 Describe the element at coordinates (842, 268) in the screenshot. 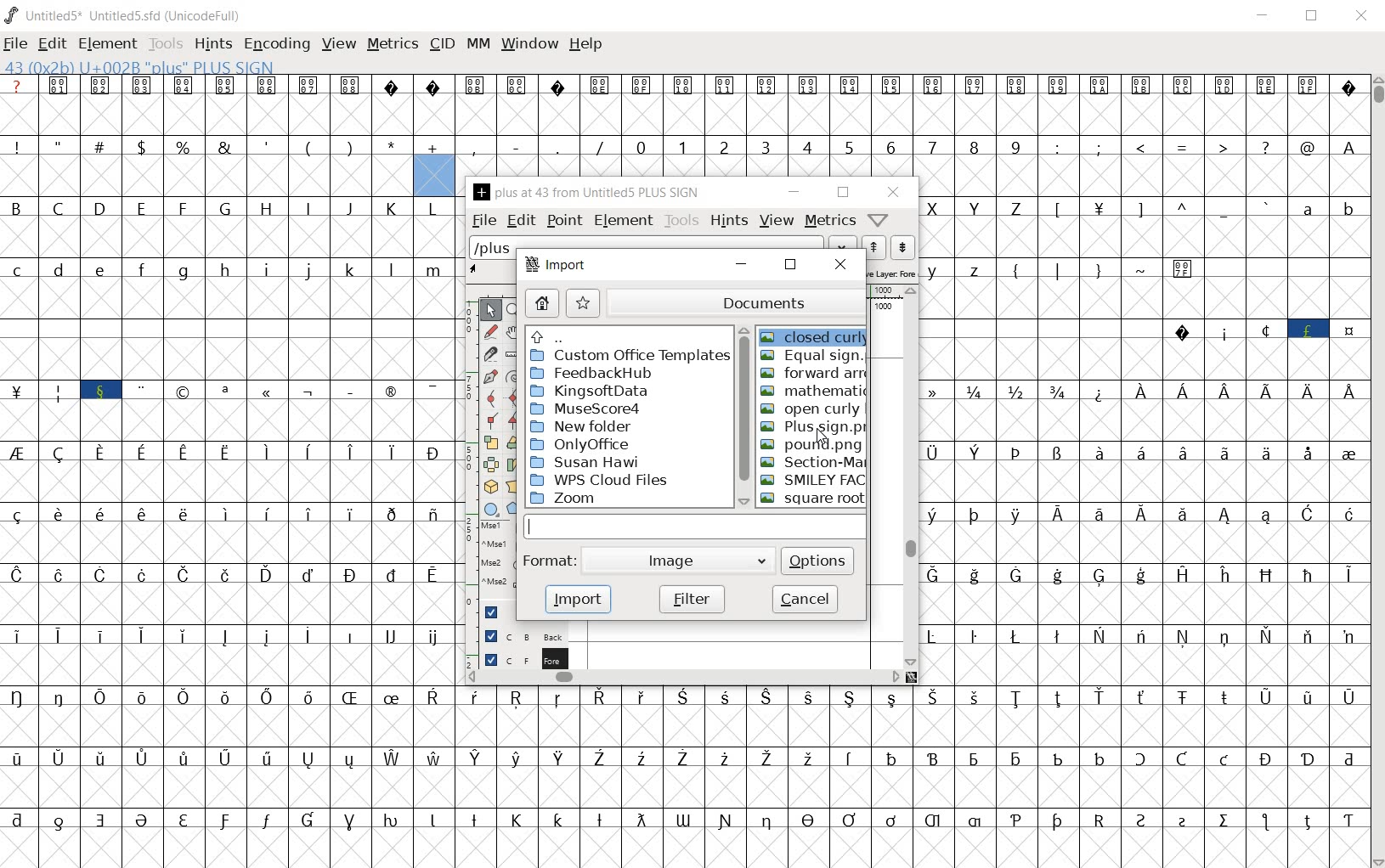

I see `close` at that location.